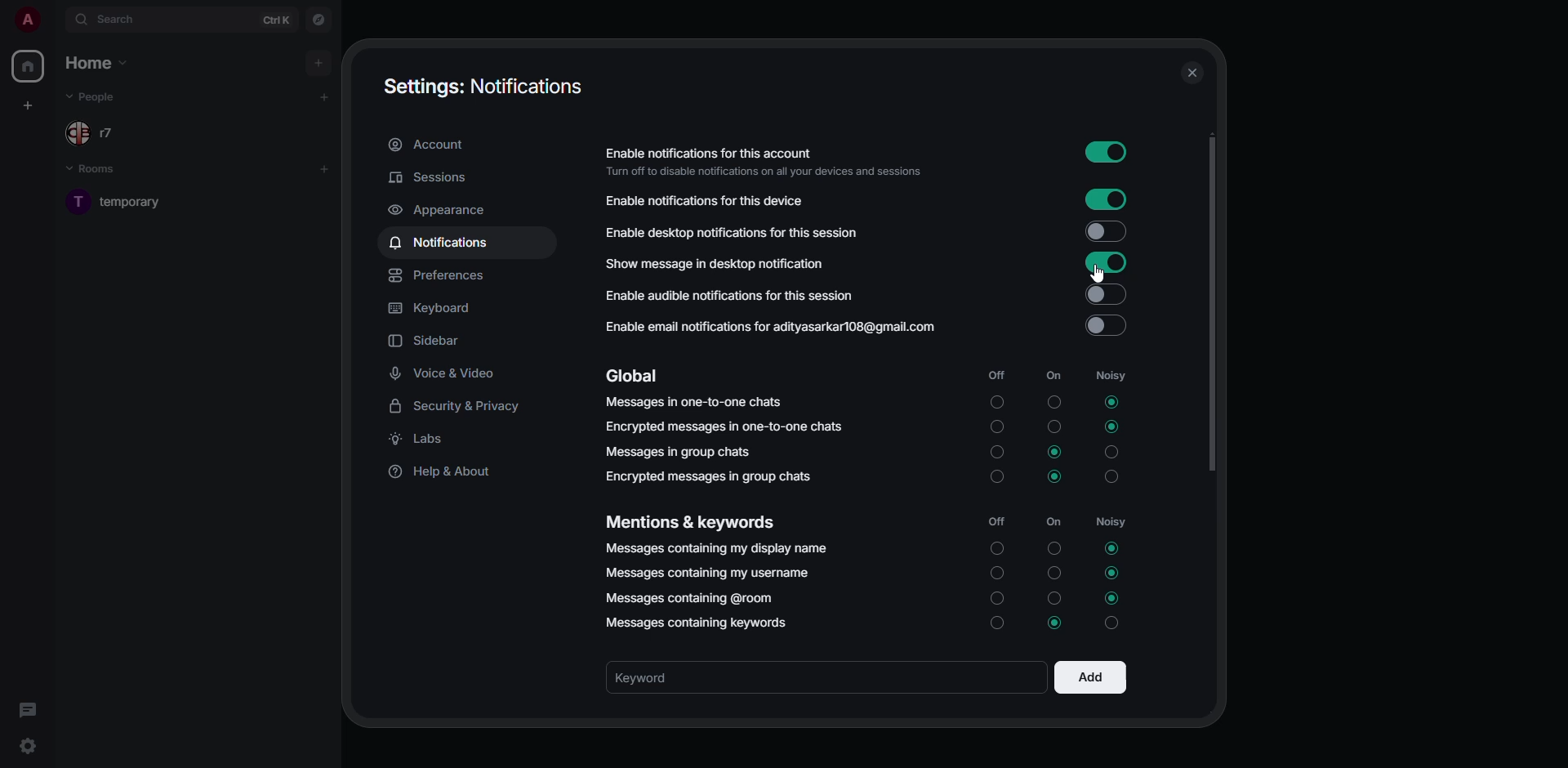  What do you see at coordinates (1106, 326) in the screenshot?
I see `click to enable` at bounding box center [1106, 326].